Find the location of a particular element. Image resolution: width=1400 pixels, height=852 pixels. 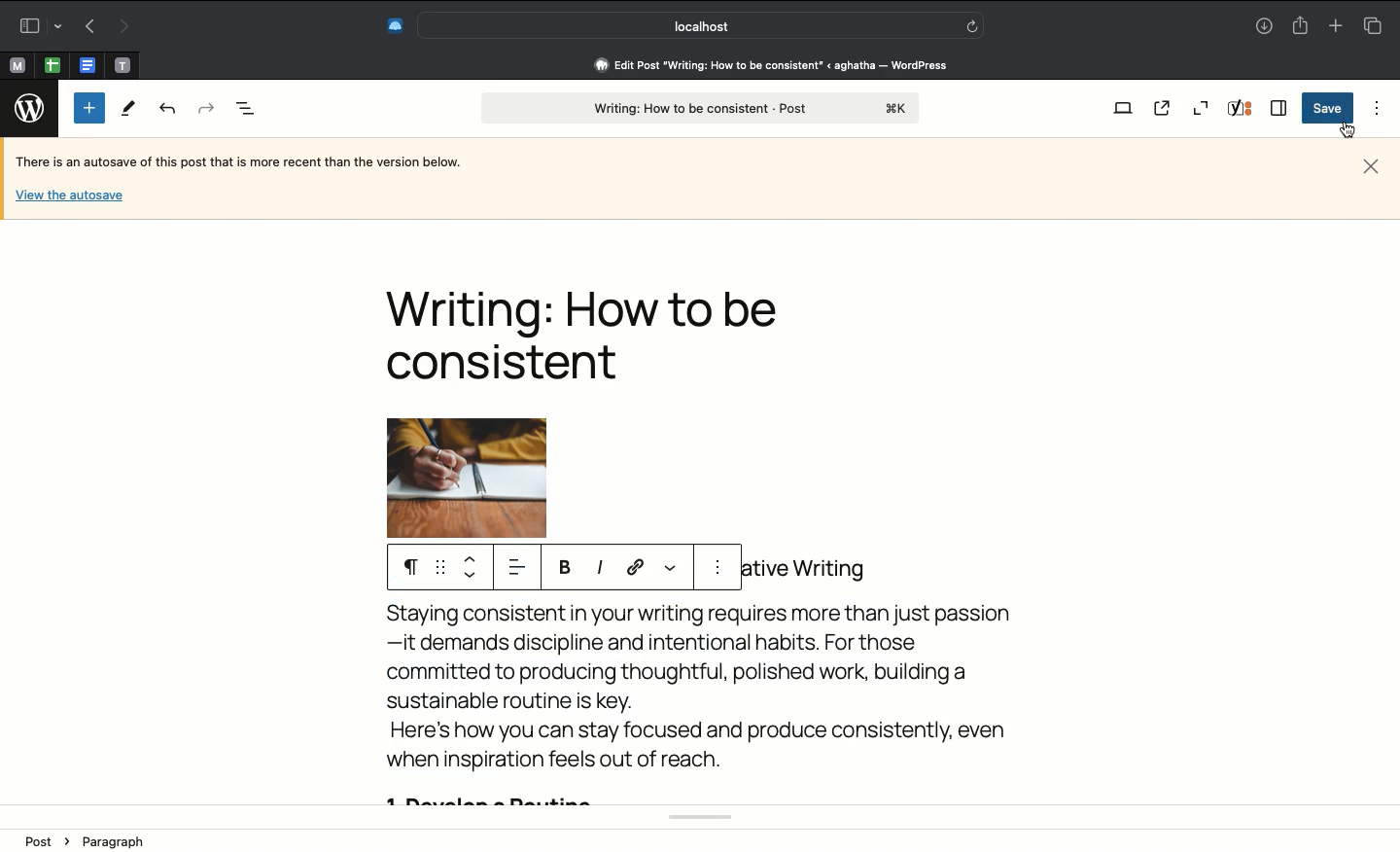

Close is located at coordinates (1371, 164).